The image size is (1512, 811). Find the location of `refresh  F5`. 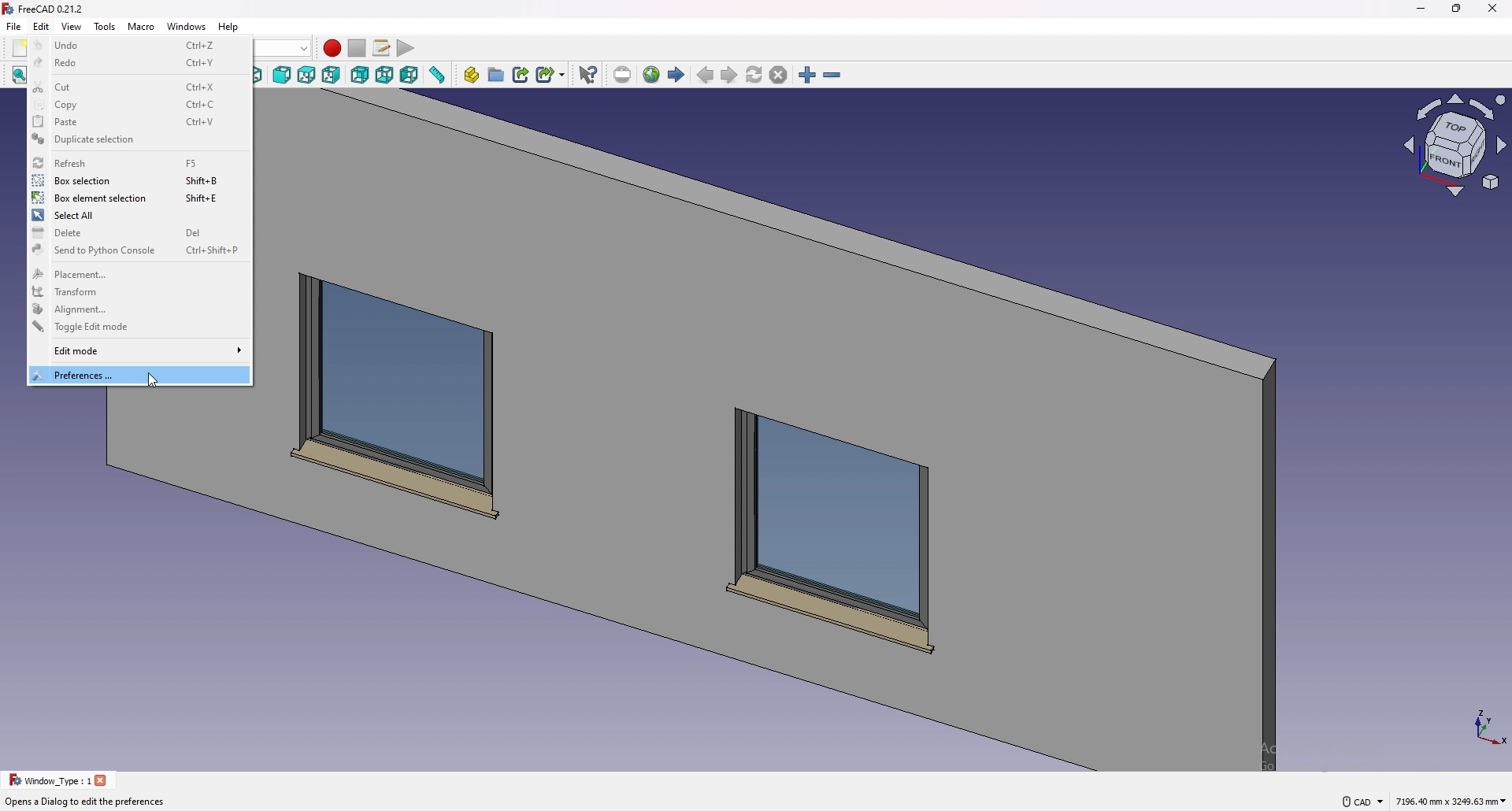

refresh  F5 is located at coordinates (136, 161).